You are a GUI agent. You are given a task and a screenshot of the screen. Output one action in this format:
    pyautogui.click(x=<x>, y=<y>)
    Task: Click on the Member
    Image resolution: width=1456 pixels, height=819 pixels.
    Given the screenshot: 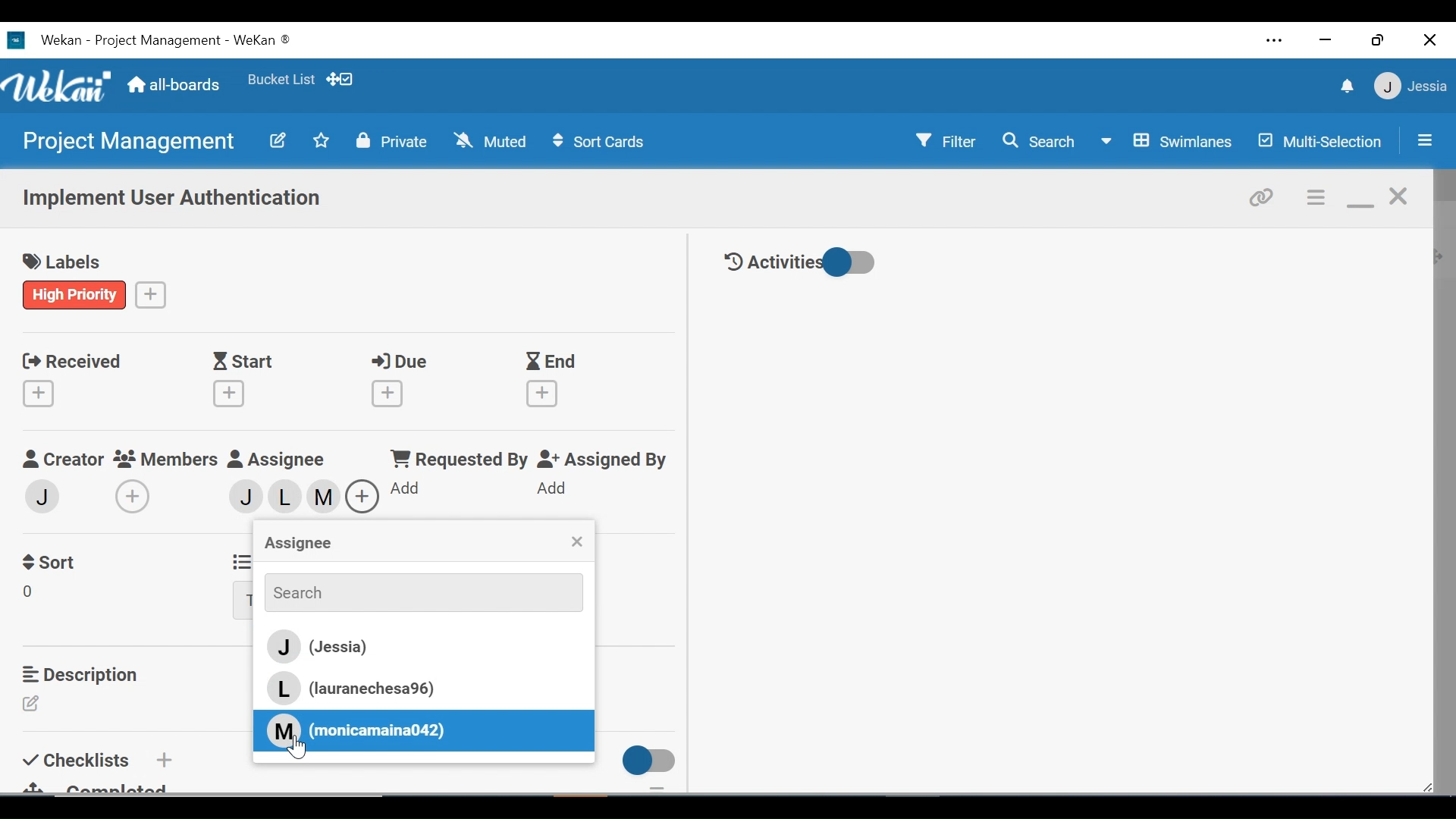 What is the action you would take?
    pyautogui.click(x=43, y=495)
    